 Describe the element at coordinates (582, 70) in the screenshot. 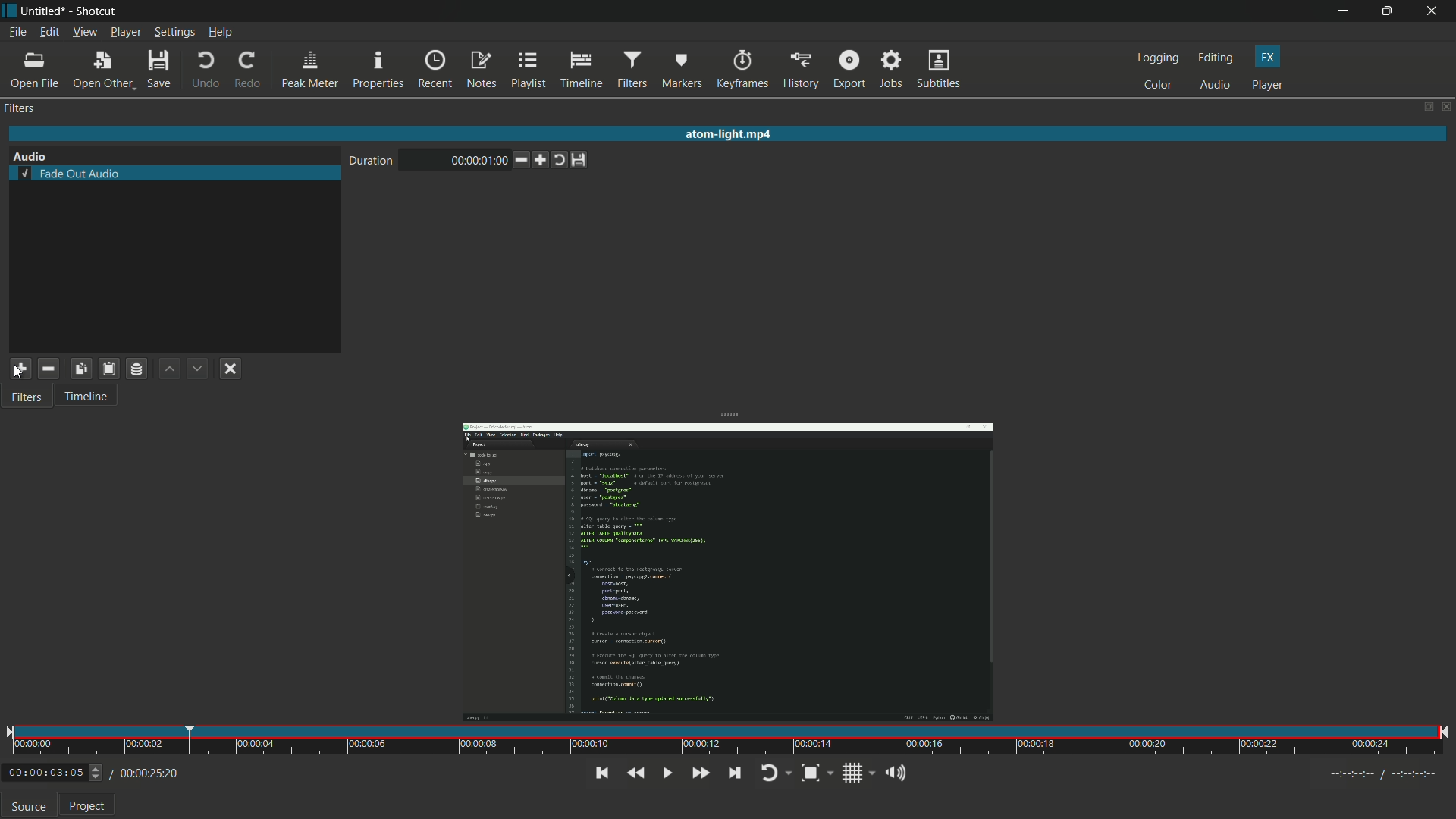

I see `timeline` at that location.